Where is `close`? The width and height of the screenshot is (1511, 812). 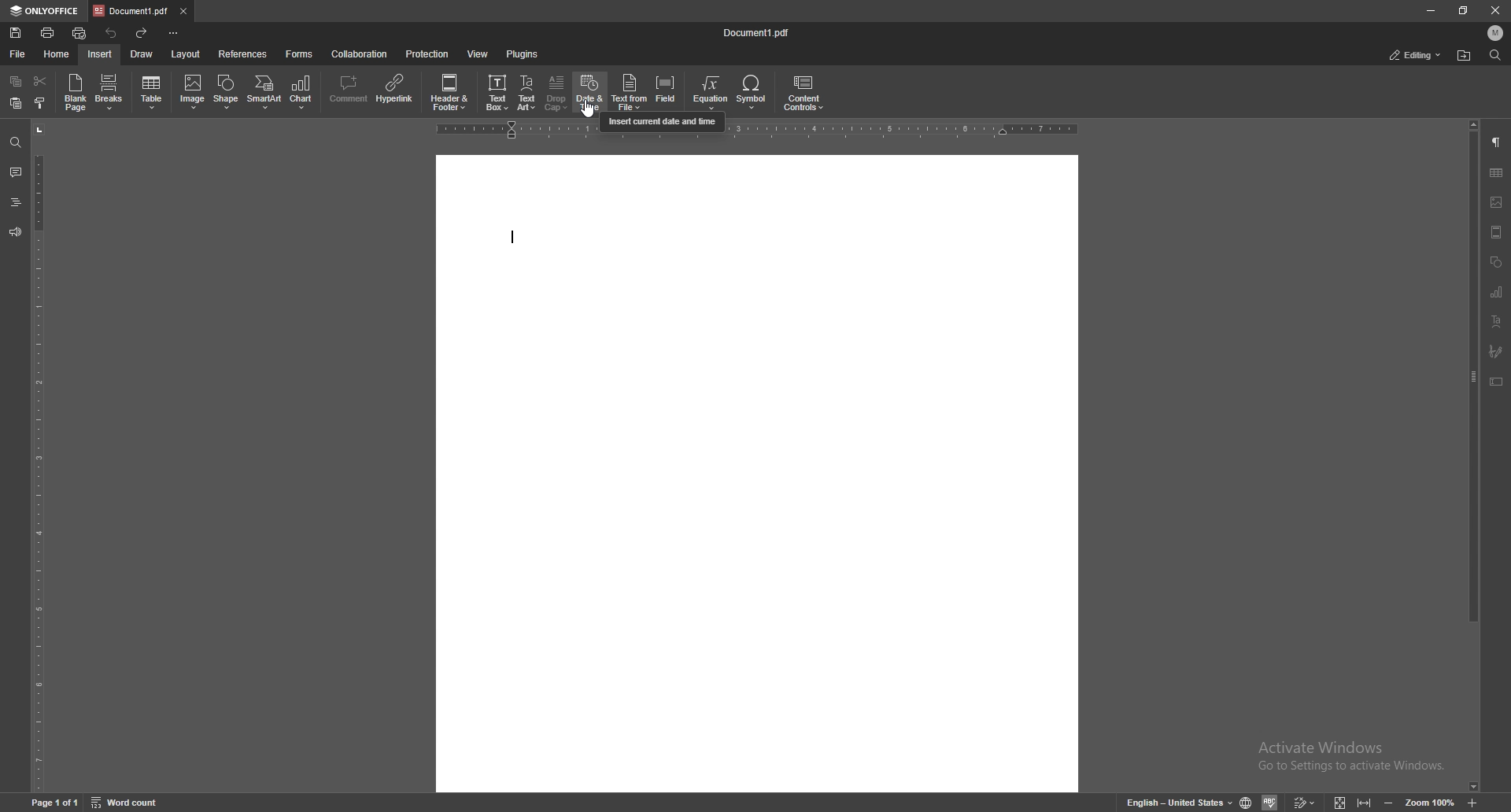
close is located at coordinates (1494, 10).